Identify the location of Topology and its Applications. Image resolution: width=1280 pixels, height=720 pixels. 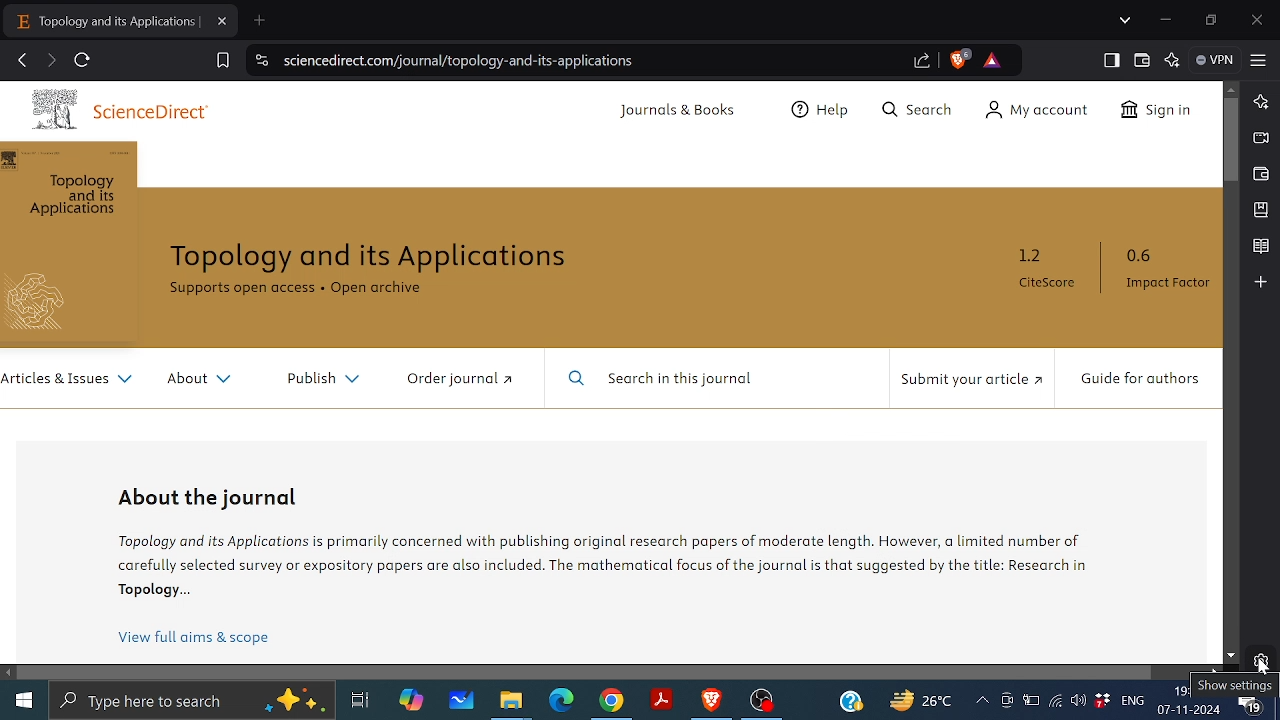
(106, 21).